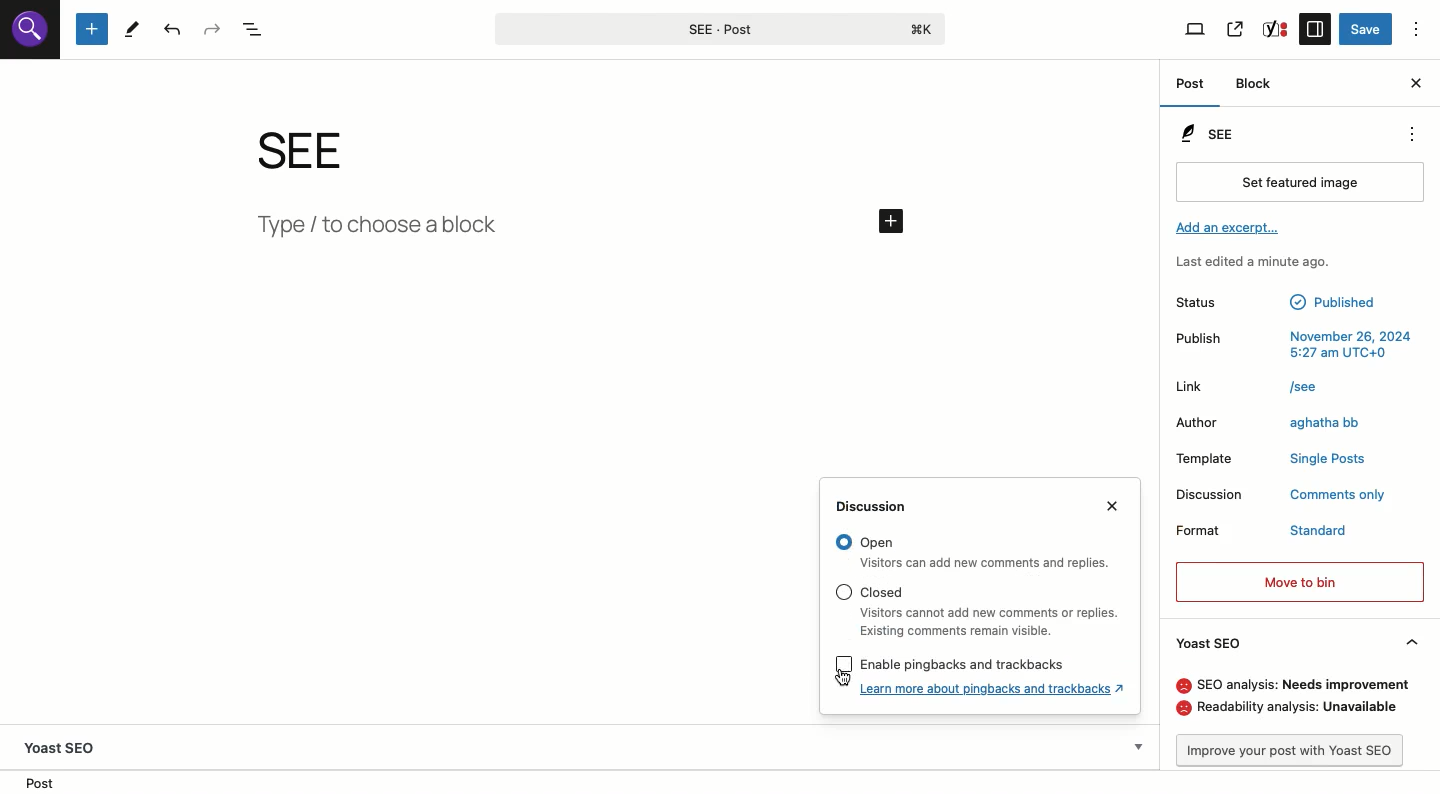 This screenshot has width=1440, height=794. Describe the element at coordinates (1297, 750) in the screenshot. I see `Improve post with Yoast` at that location.